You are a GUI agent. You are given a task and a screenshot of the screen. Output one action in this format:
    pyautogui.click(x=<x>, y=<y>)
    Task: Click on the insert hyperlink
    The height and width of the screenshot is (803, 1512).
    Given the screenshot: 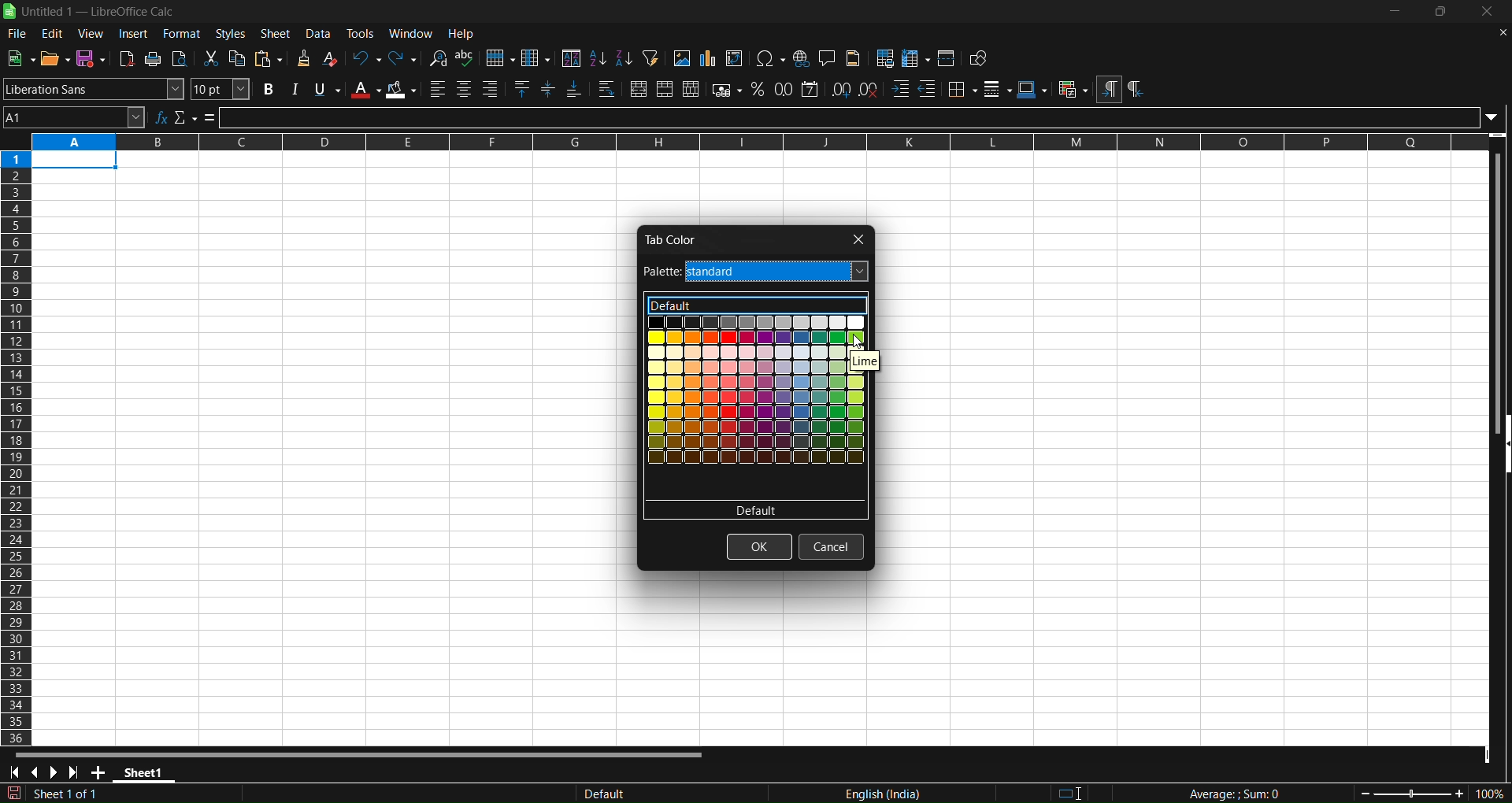 What is the action you would take?
    pyautogui.click(x=802, y=58)
    